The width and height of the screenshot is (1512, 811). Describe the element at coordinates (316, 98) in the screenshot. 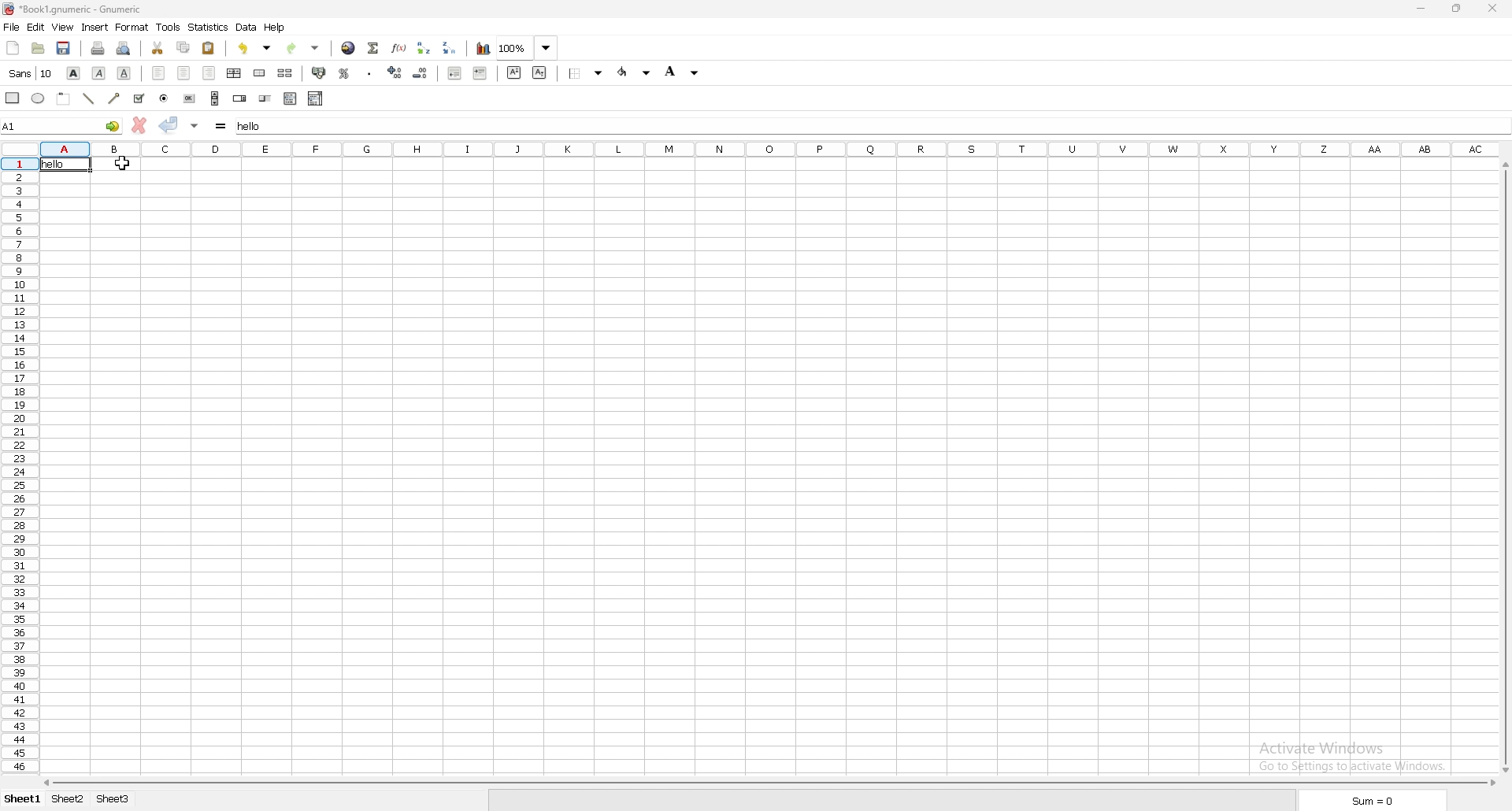

I see `combo box` at that location.